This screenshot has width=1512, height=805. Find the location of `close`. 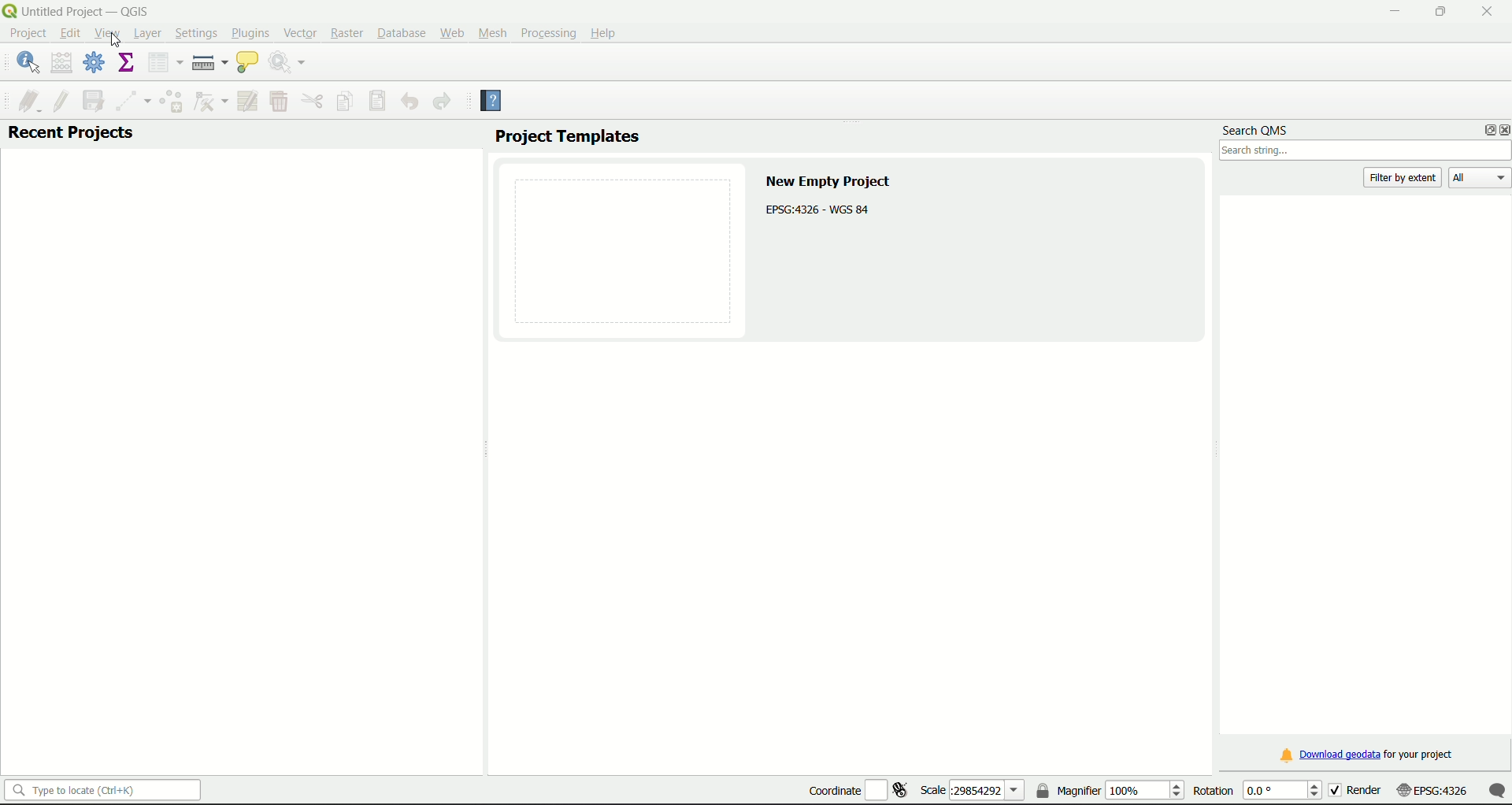

close is located at coordinates (1486, 10).